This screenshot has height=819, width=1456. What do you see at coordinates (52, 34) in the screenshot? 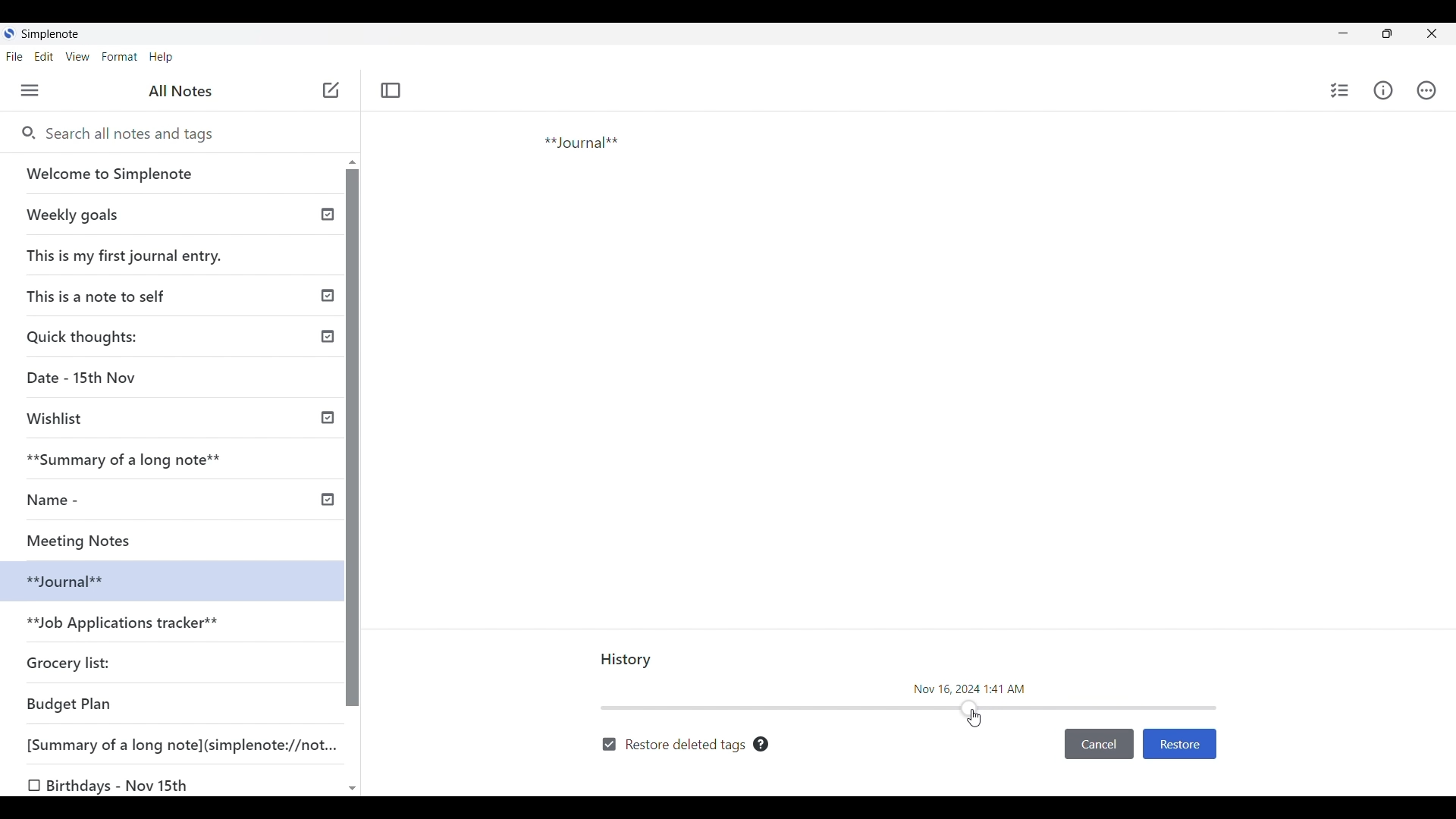
I see `Software name` at bounding box center [52, 34].